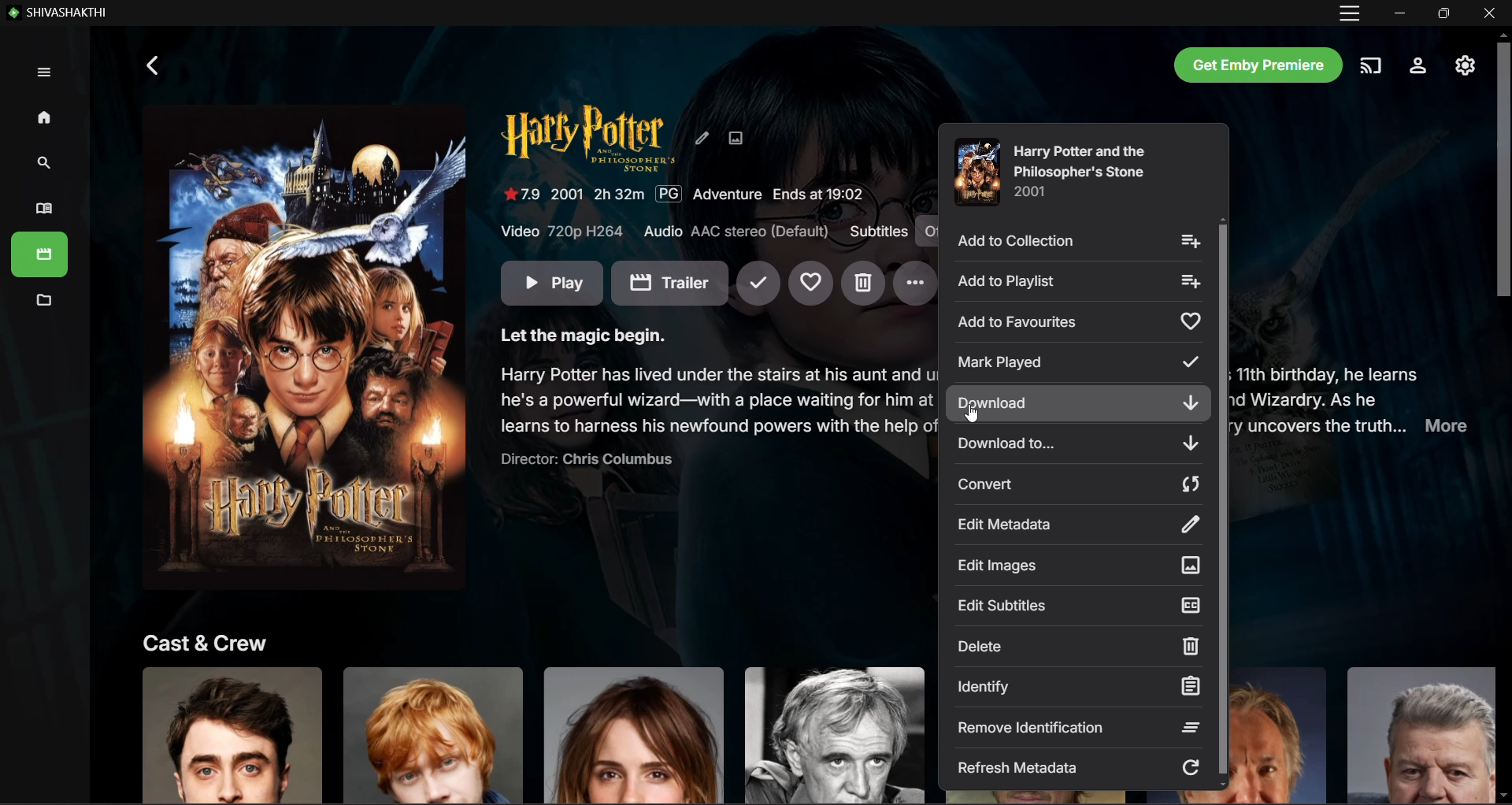 Image resolution: width=1512 pixels, height=805 pixels. What do you see at coordinates (42, 302) in the screenshot?
I see `Metadata Manager` at bounding box center [42, 302].